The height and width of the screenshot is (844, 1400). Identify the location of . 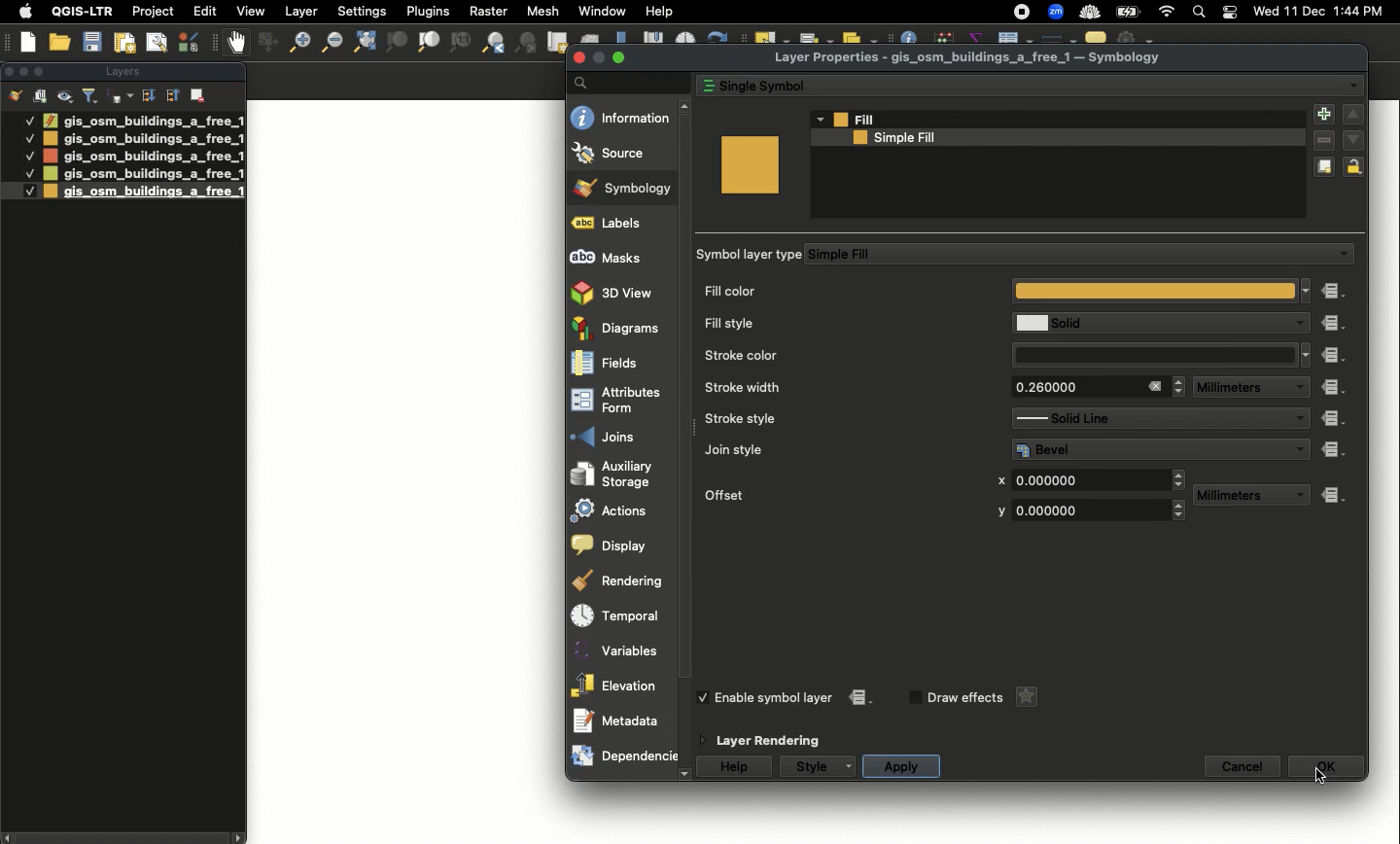
(1335, 494).